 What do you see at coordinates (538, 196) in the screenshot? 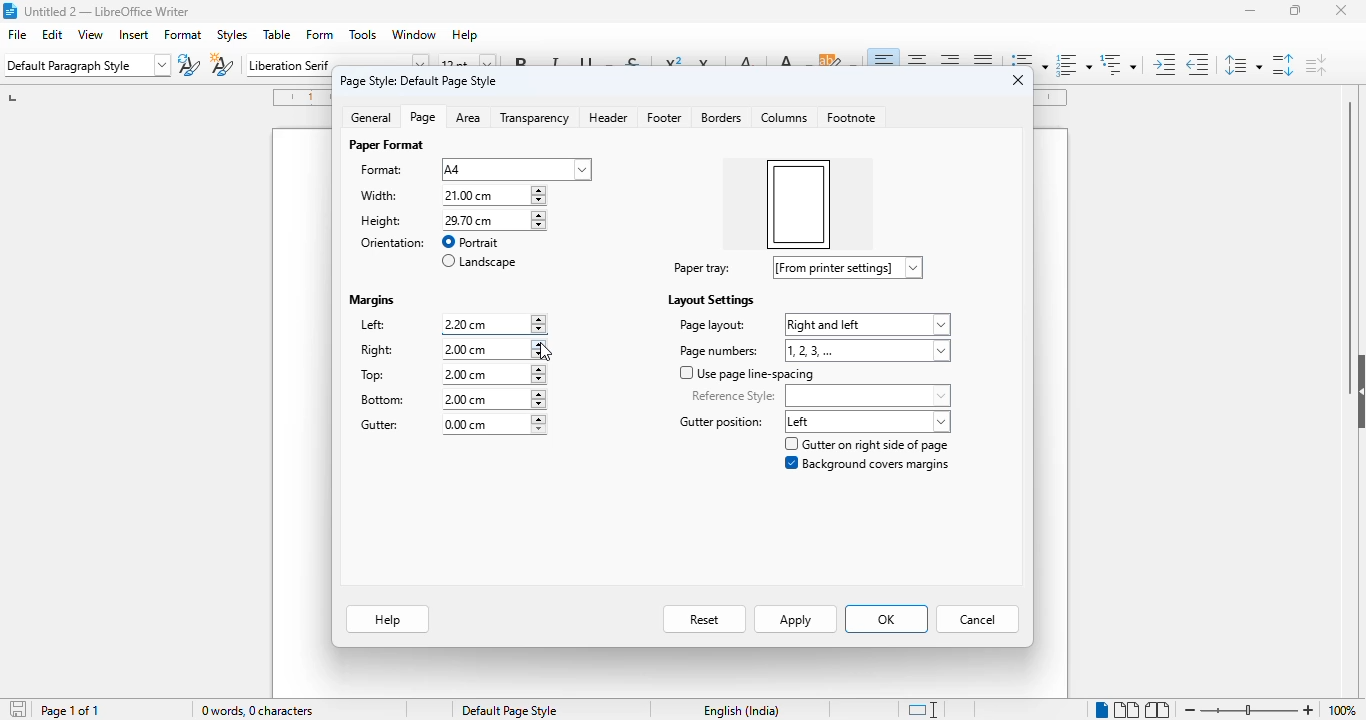
I see `increment or decrement width` at bounding box center [538, 196].